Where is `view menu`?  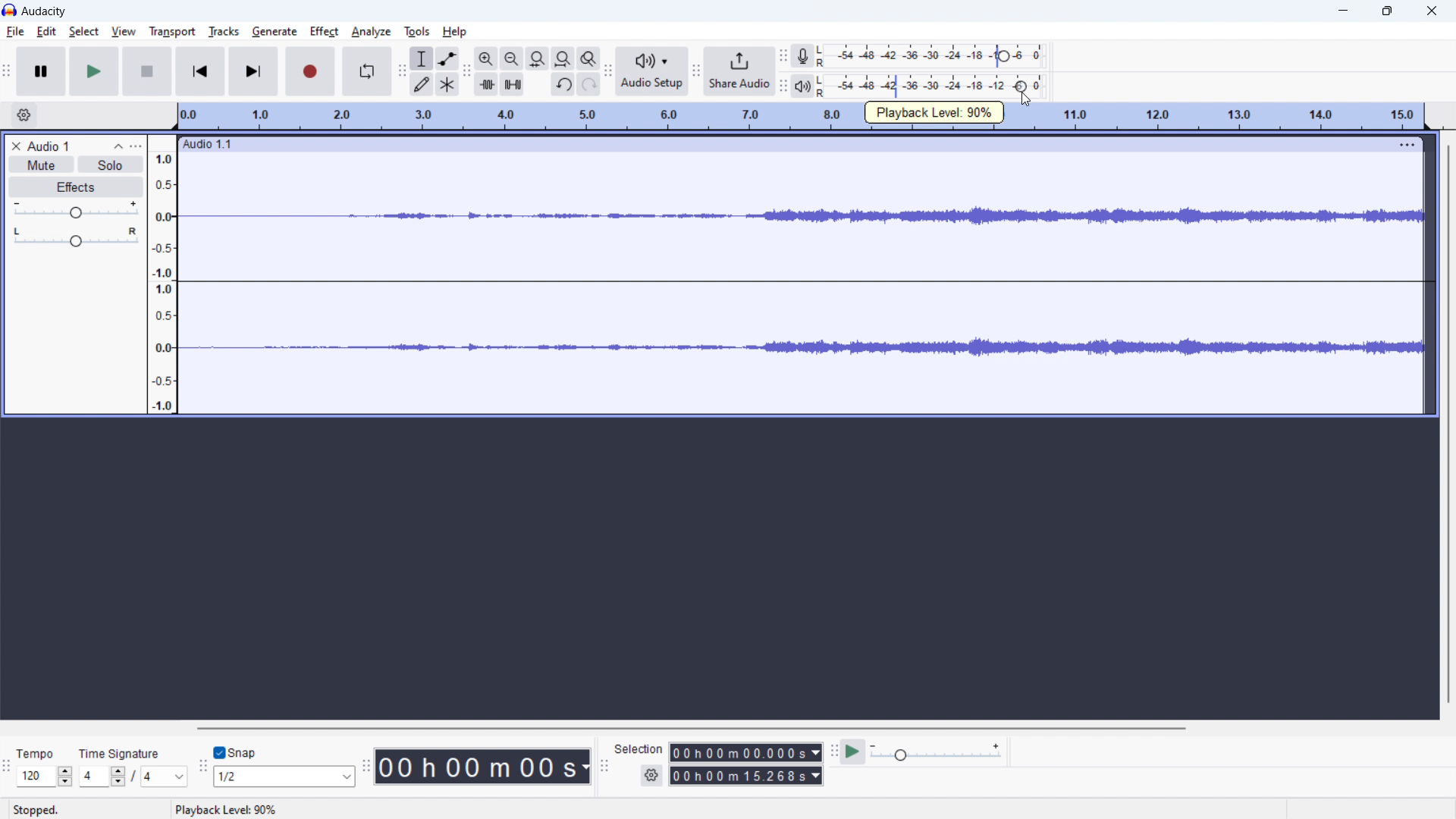
view menu is located at coordinates (136, 146).